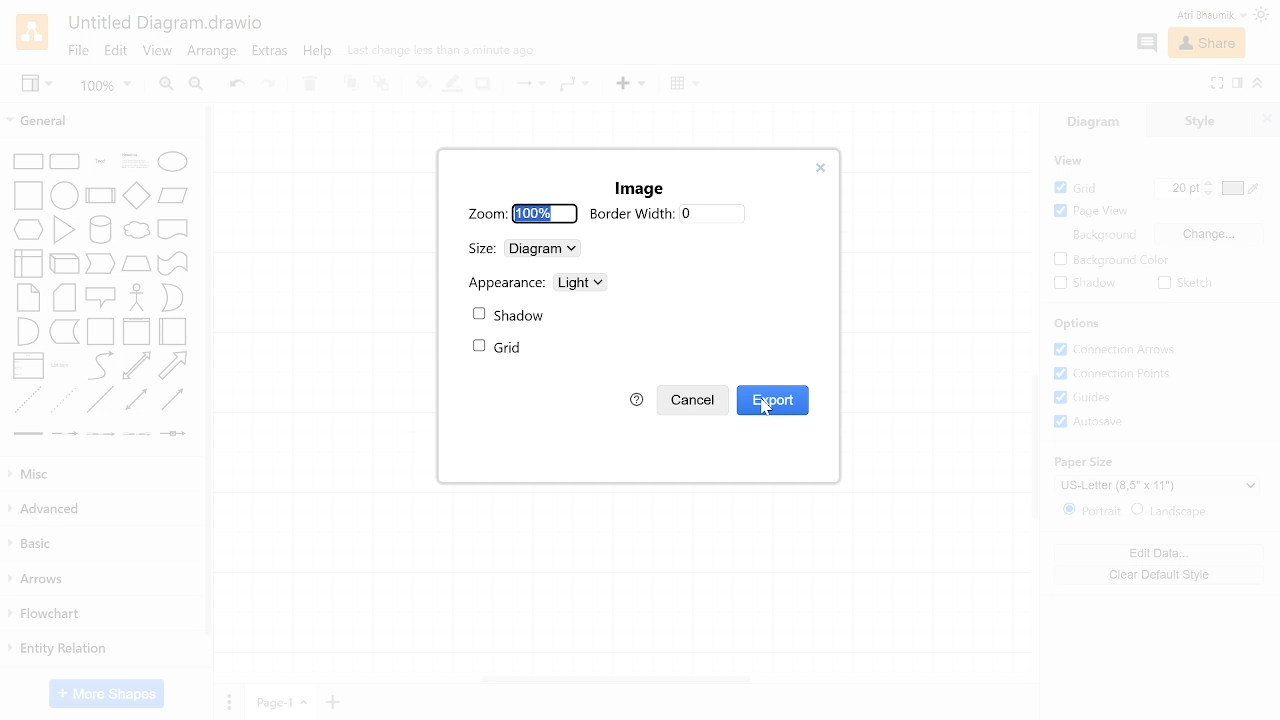  Describe the element at coordinates (1159, 574) in the screenshot. I see `Clear default style` at that location.